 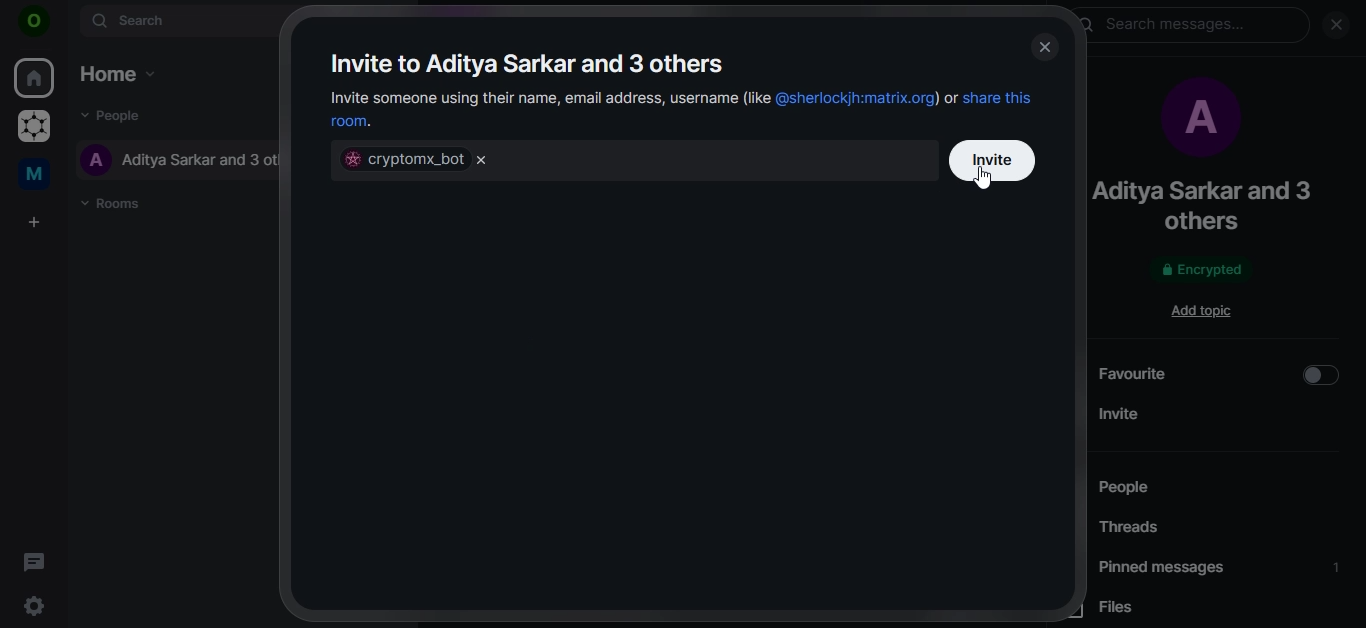 I want to click on threads, so click(x=1134, y=529).